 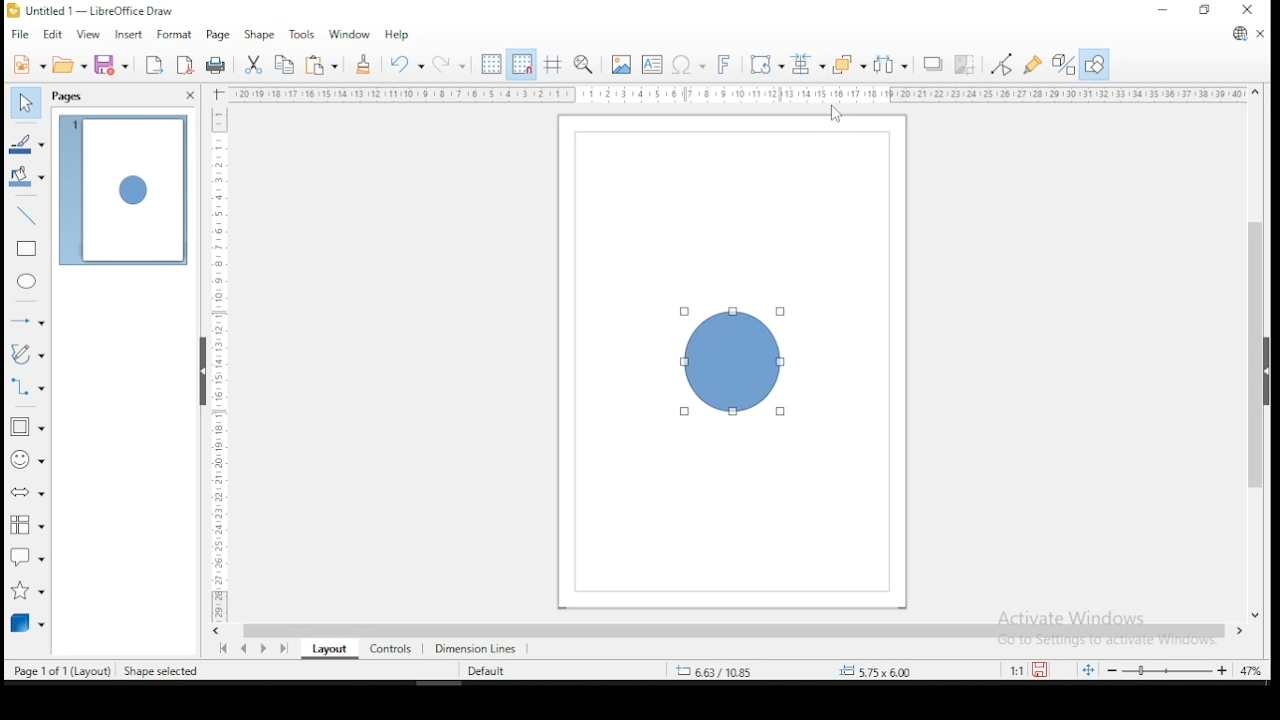 What do you see at coordinates (217, 66) in the screenshot?
I see `print` at bounding box center [217, 66].